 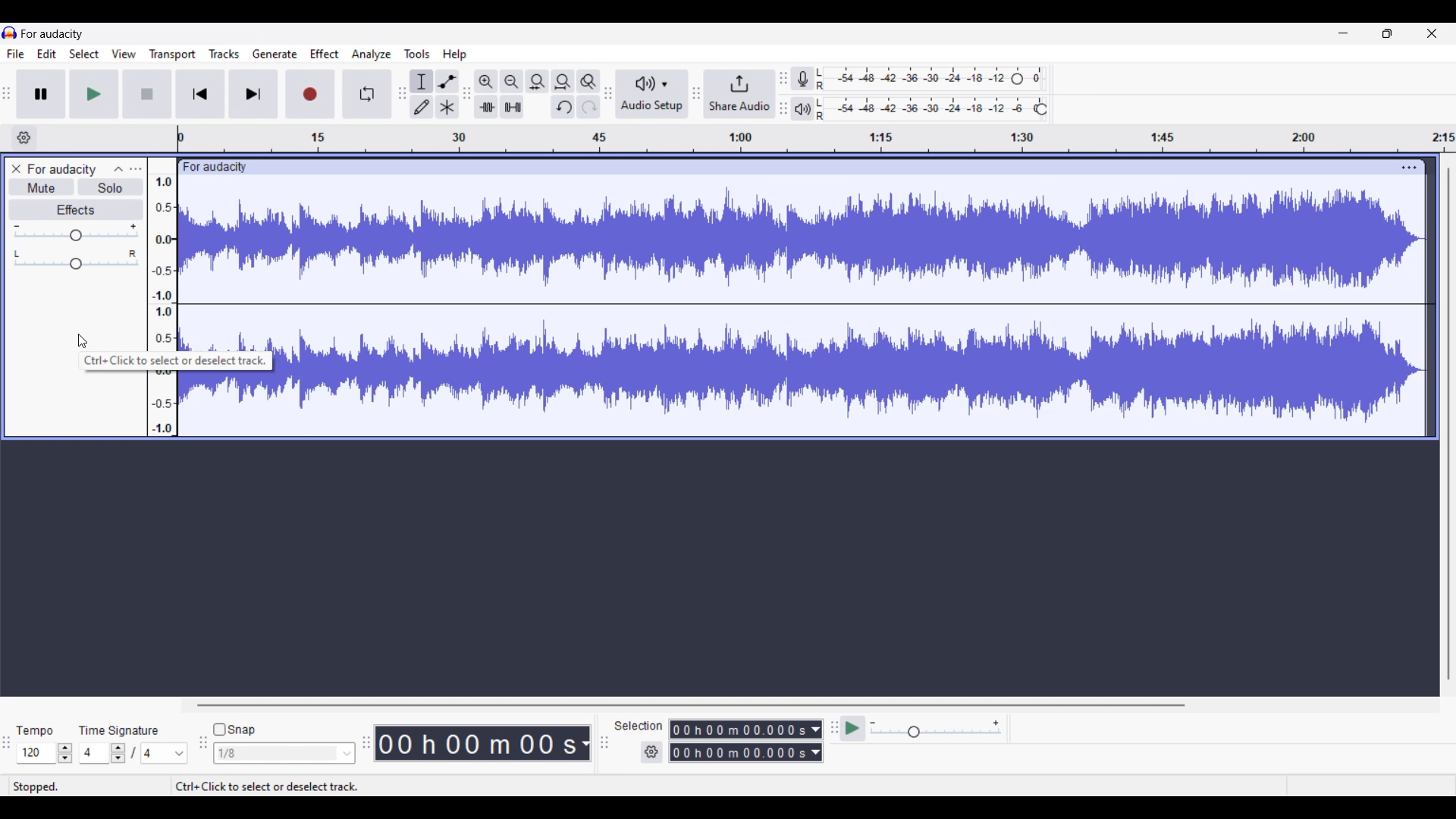 I want to click on Collapse, so click(x=118, y=169).